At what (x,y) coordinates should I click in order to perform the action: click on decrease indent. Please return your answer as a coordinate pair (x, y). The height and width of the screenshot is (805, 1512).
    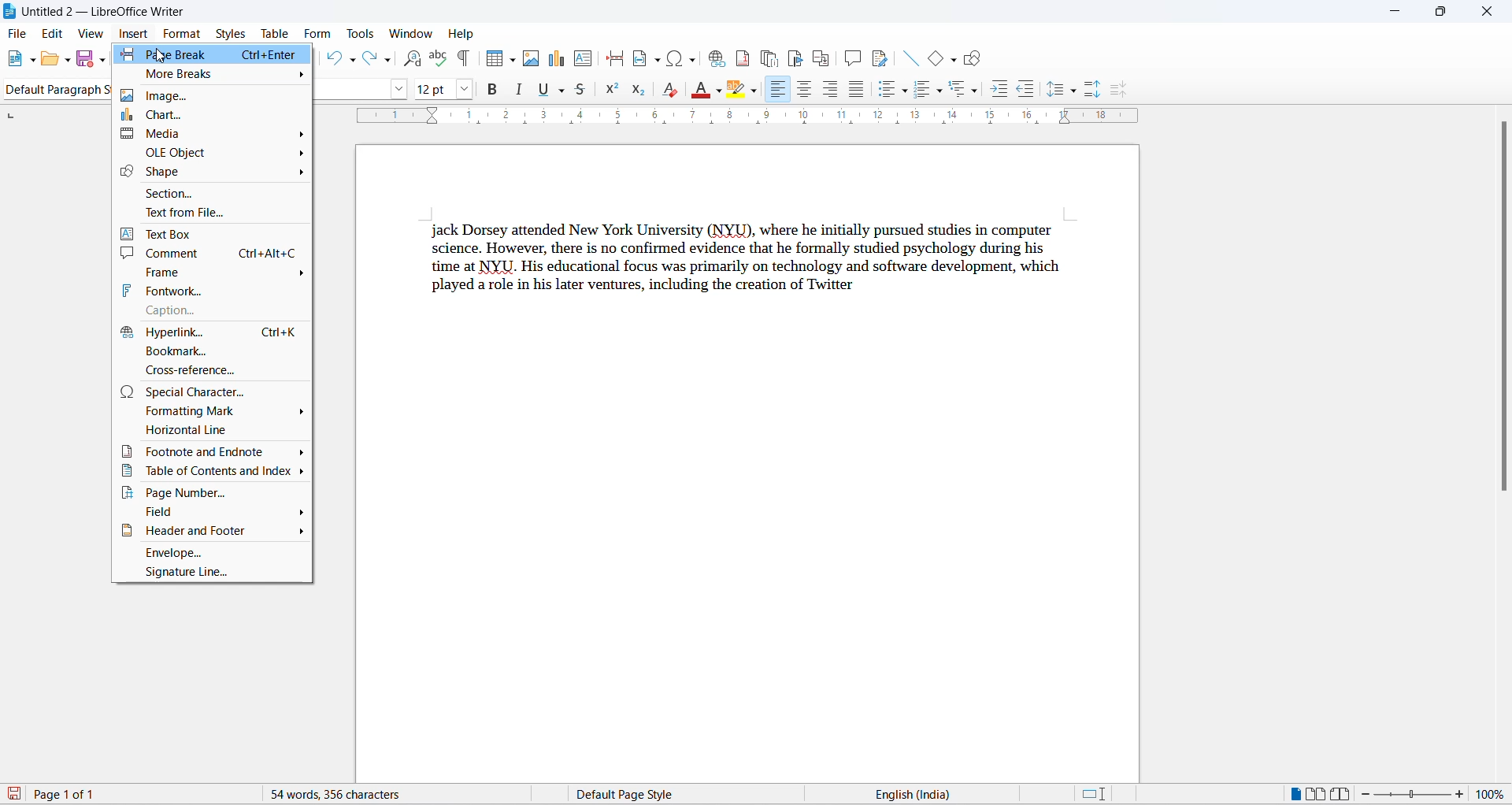
    Looking at the image, I should click on (1027, 91).